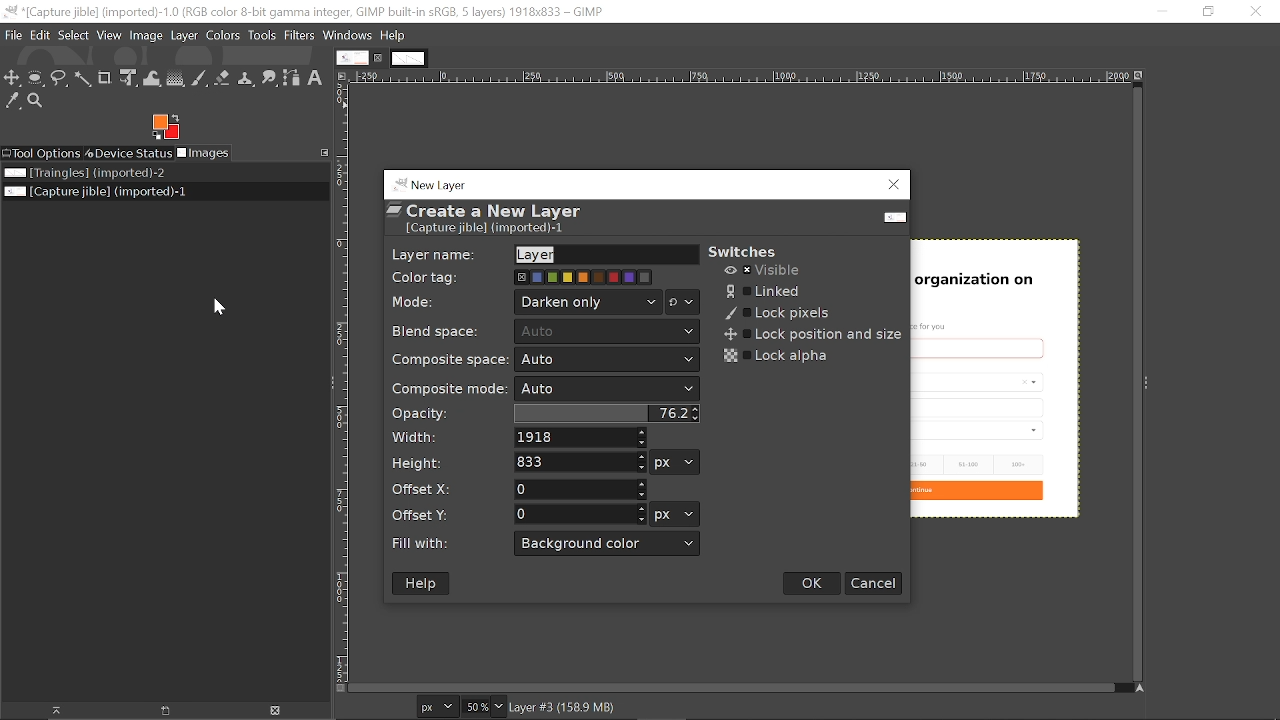  I want to click on Paintbrush tool, so click(199, 79).